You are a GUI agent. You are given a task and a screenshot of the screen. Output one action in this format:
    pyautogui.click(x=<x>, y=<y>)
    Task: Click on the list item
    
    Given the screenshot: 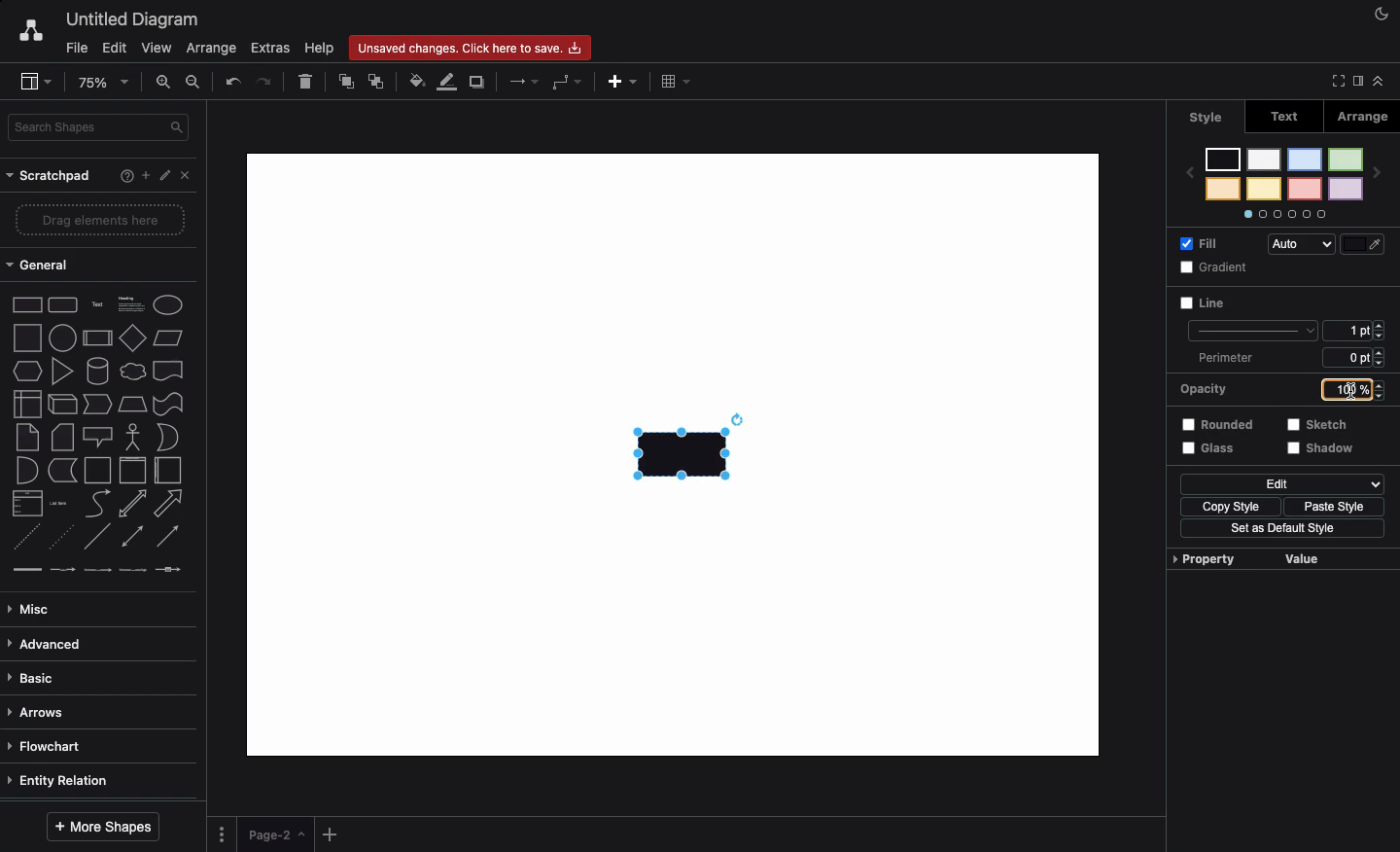 What is the action you would take?
    pyautogui.click(x=60, y=502)
    